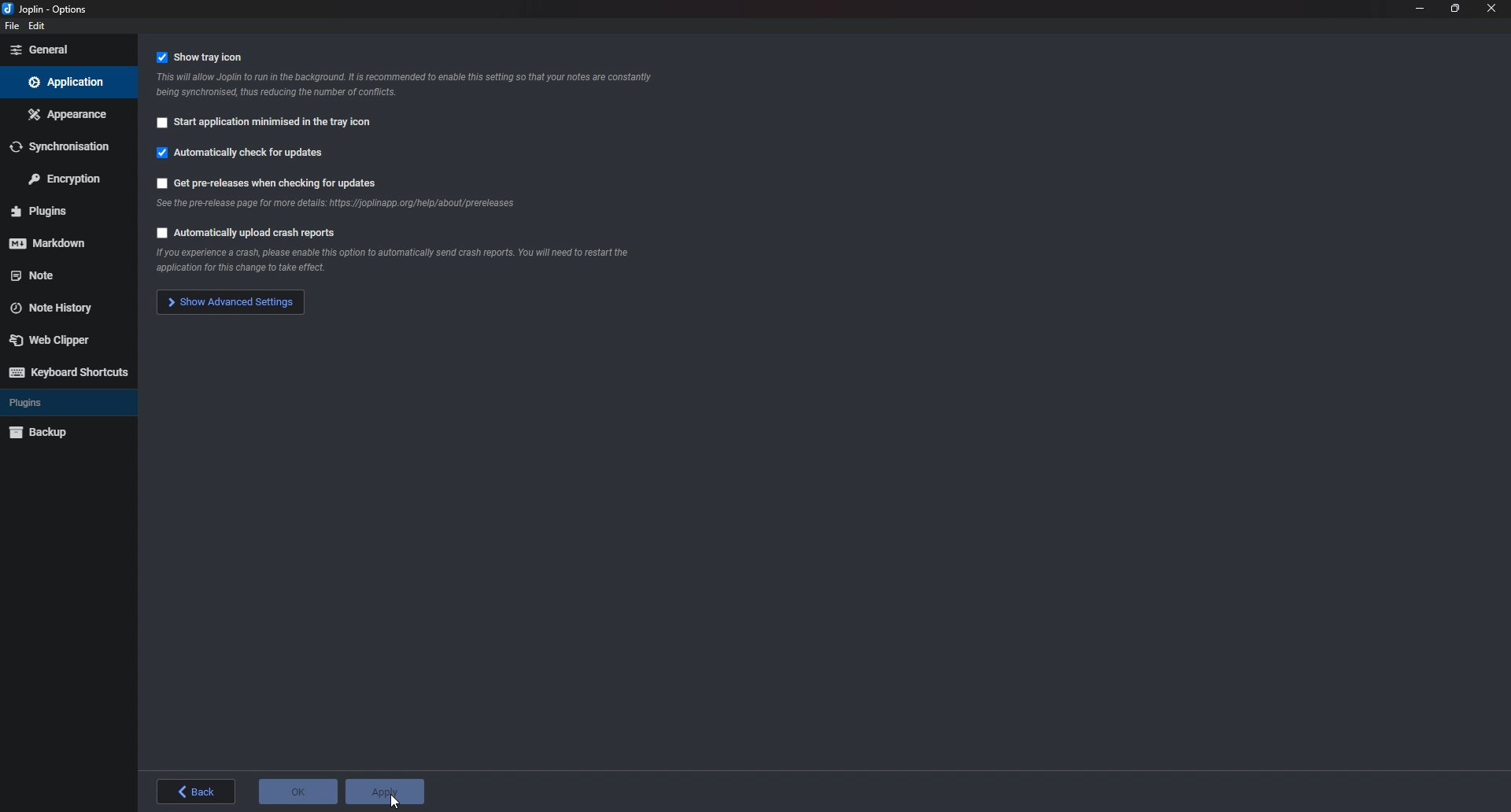  I want to click on apply, so click(390, 792).